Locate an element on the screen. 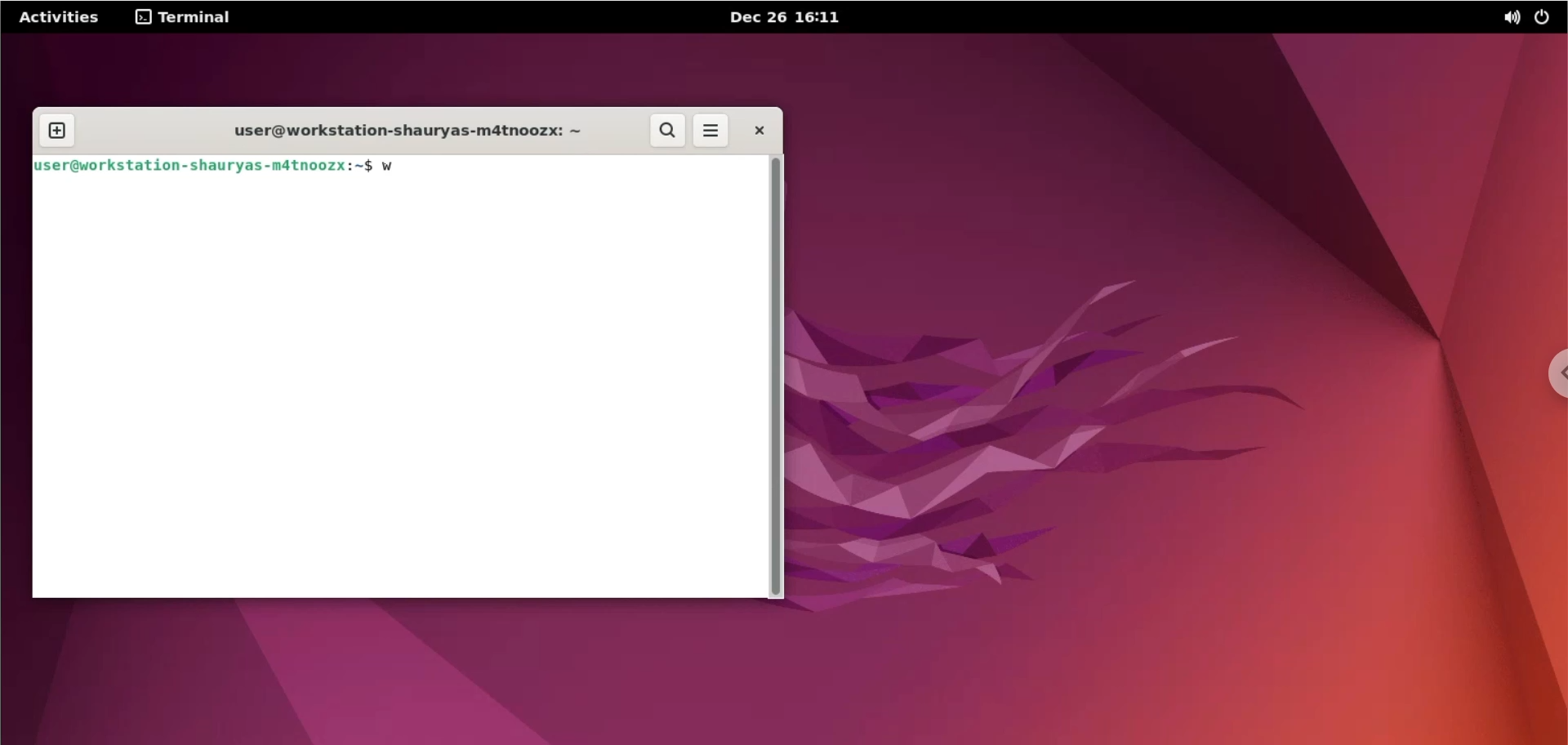 The height and width of the screenshot is (745, 1568). search is located at coordinates (666, 131).